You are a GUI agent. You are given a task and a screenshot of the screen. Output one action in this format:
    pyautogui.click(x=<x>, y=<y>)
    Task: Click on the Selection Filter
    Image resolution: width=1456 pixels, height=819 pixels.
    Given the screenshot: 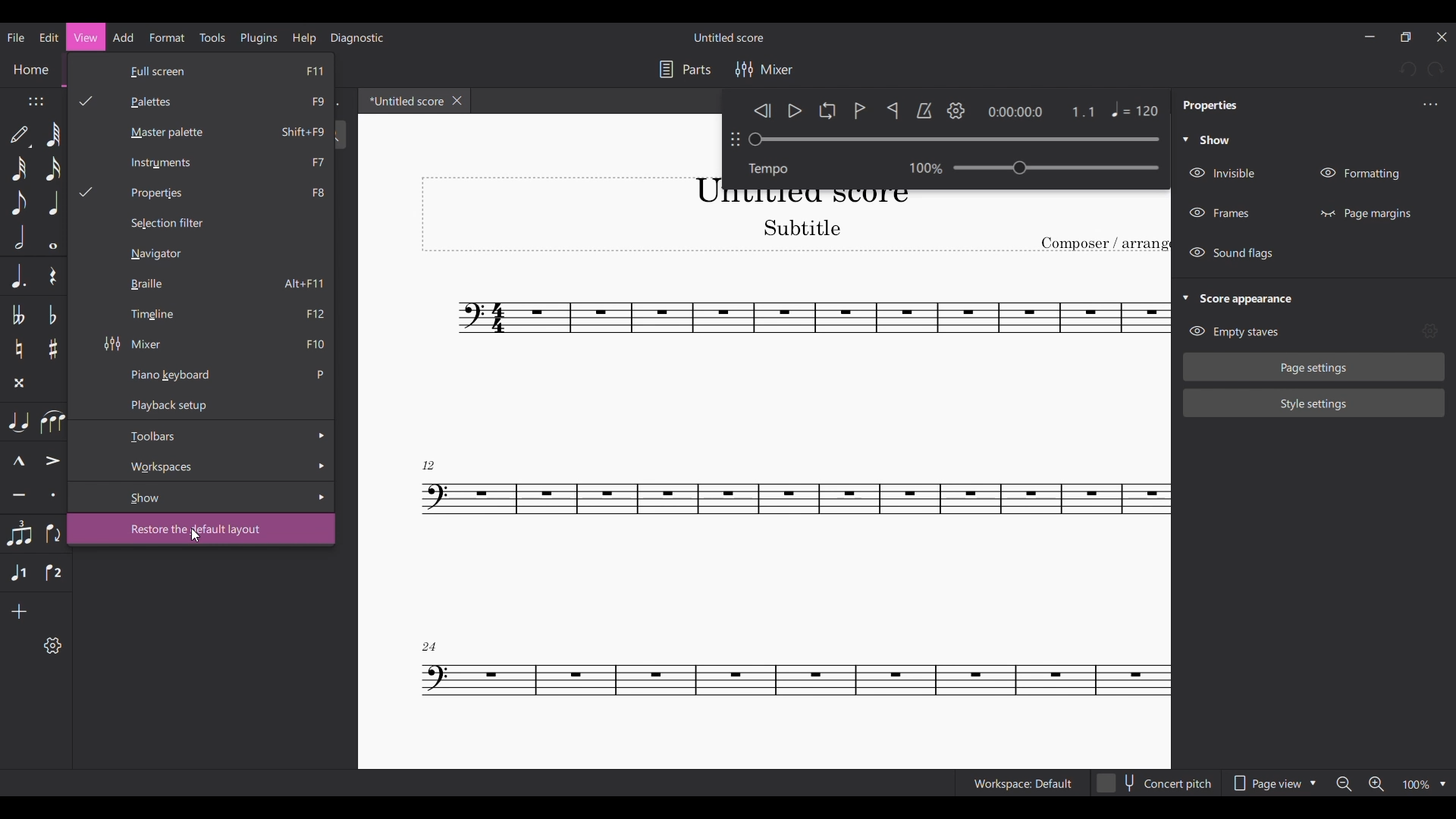 What is the action you would take?
    pyautogui.click(x=207, y=222)
    